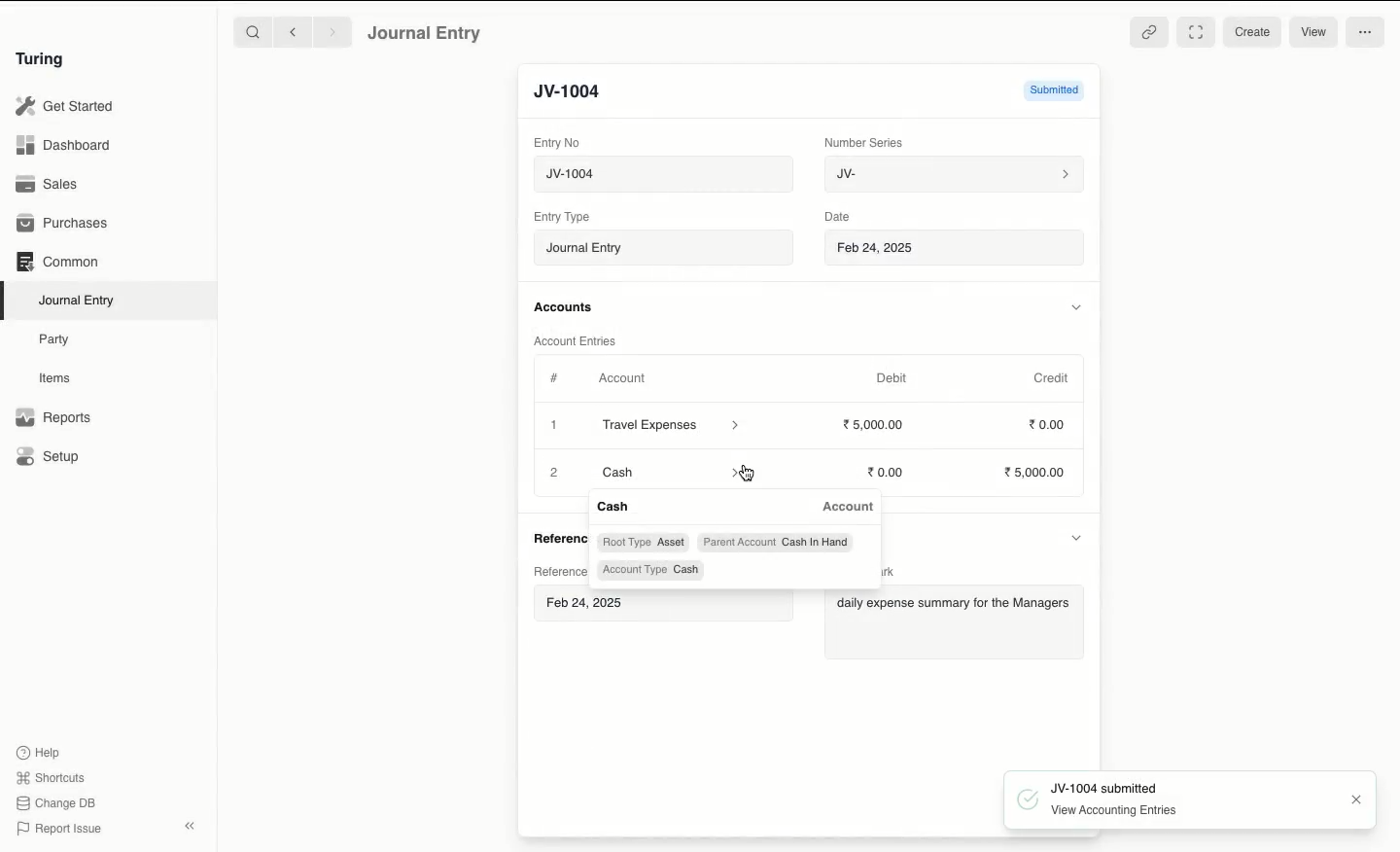  I want to click on Number Series, so click(867, 143).